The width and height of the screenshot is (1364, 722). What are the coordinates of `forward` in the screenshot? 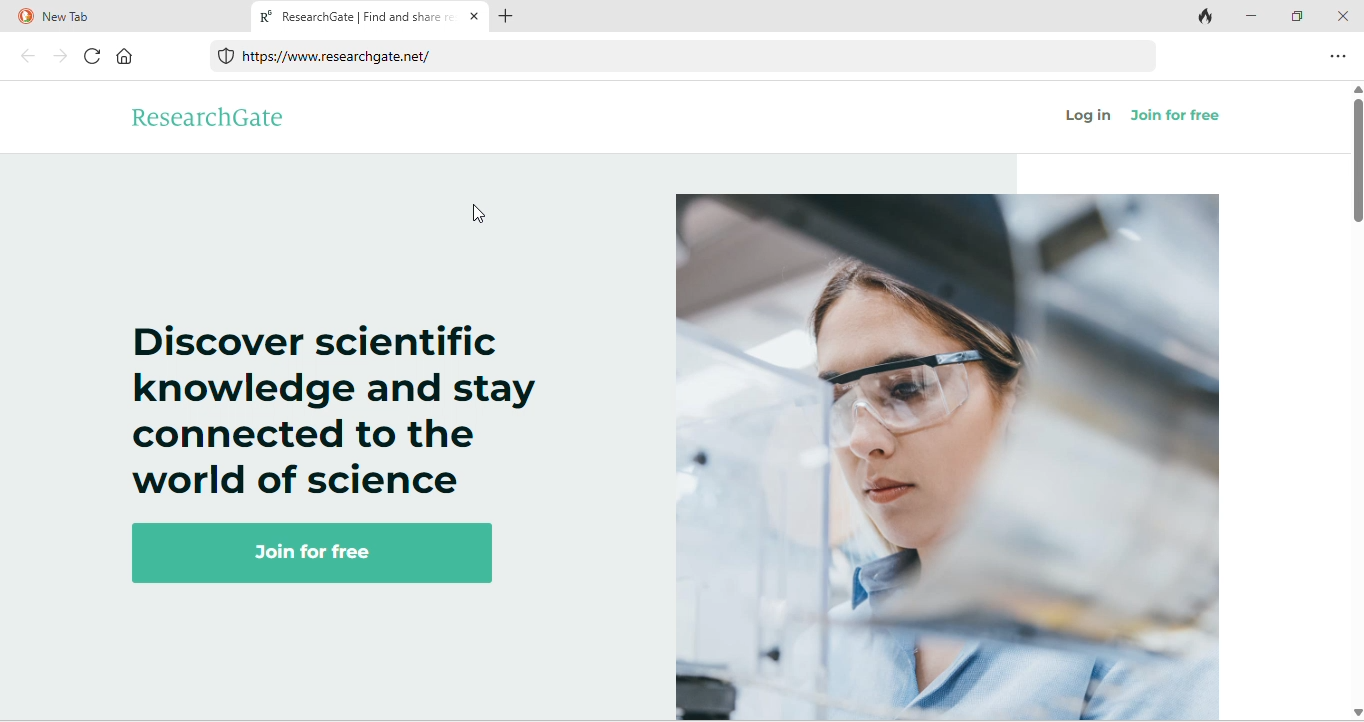 It's located at (58, 56).